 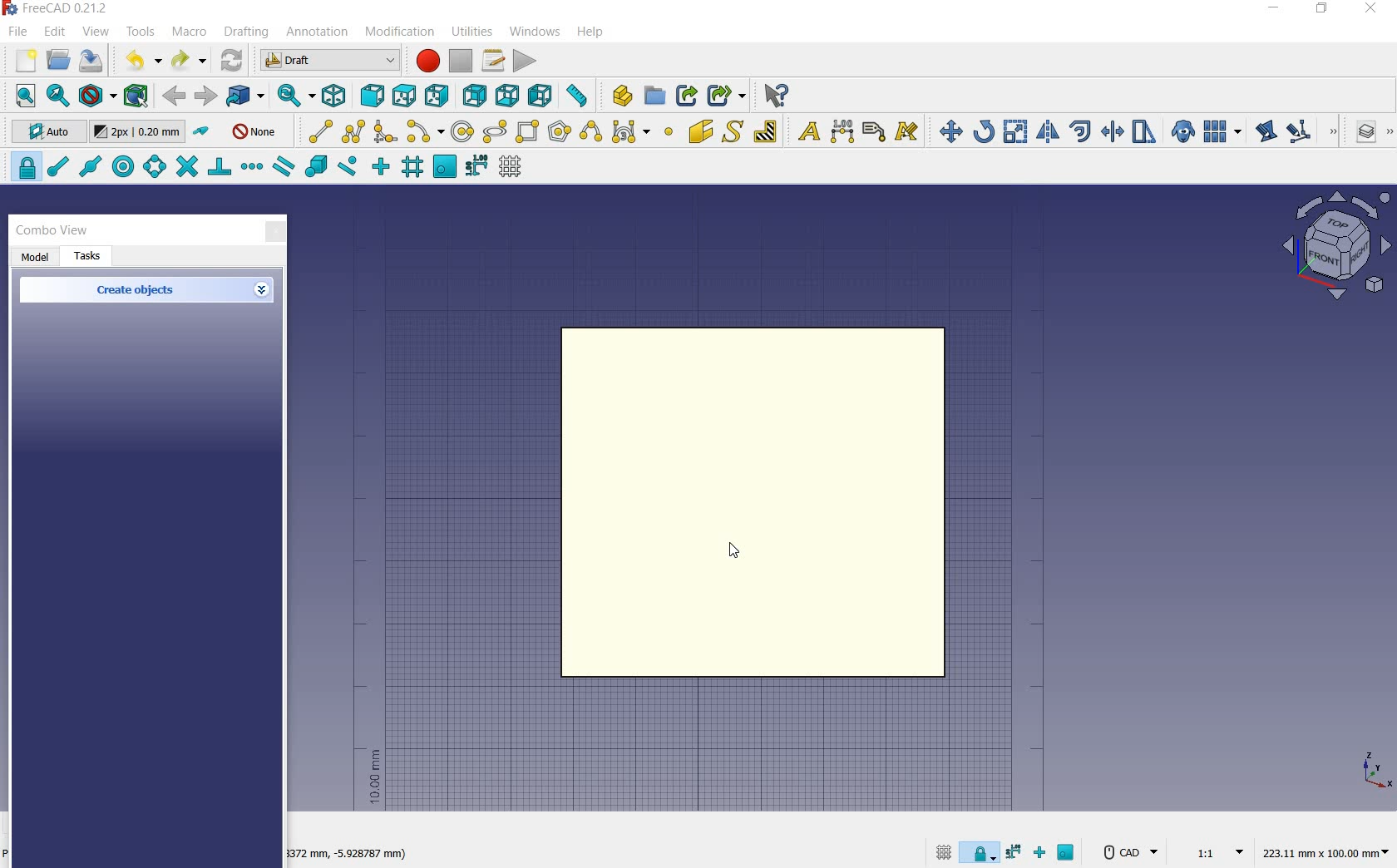 What do you see at coordinates (1265, 133) in the screenshot?
I see `edit` at bounding box center [1265, 133].